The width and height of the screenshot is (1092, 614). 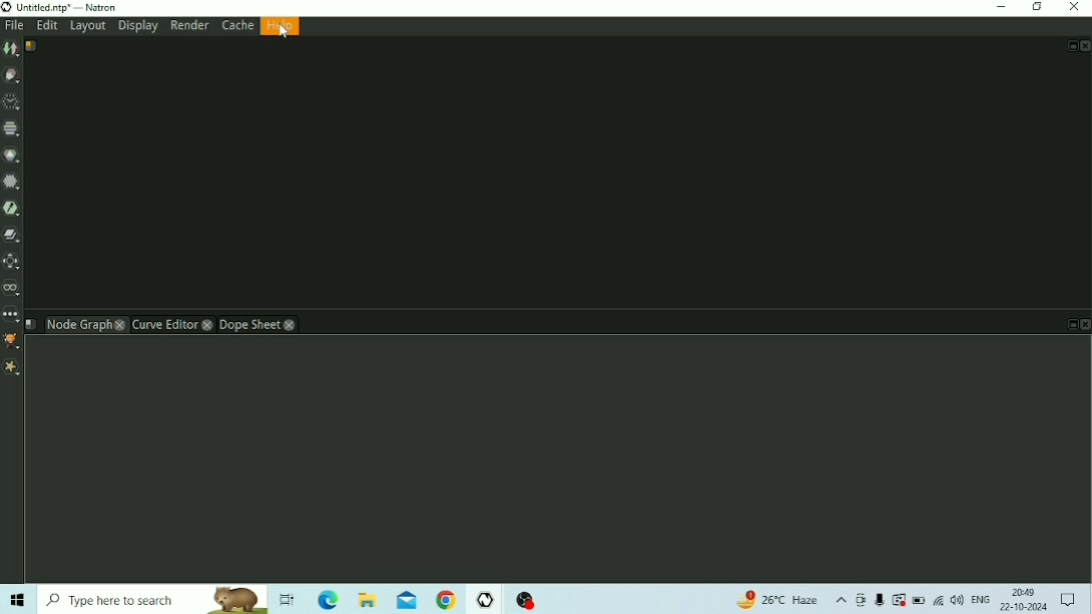 What do you see at coordinates (12, 288) in the screenshot?
I see `Views` at bounding box center [12, 288].